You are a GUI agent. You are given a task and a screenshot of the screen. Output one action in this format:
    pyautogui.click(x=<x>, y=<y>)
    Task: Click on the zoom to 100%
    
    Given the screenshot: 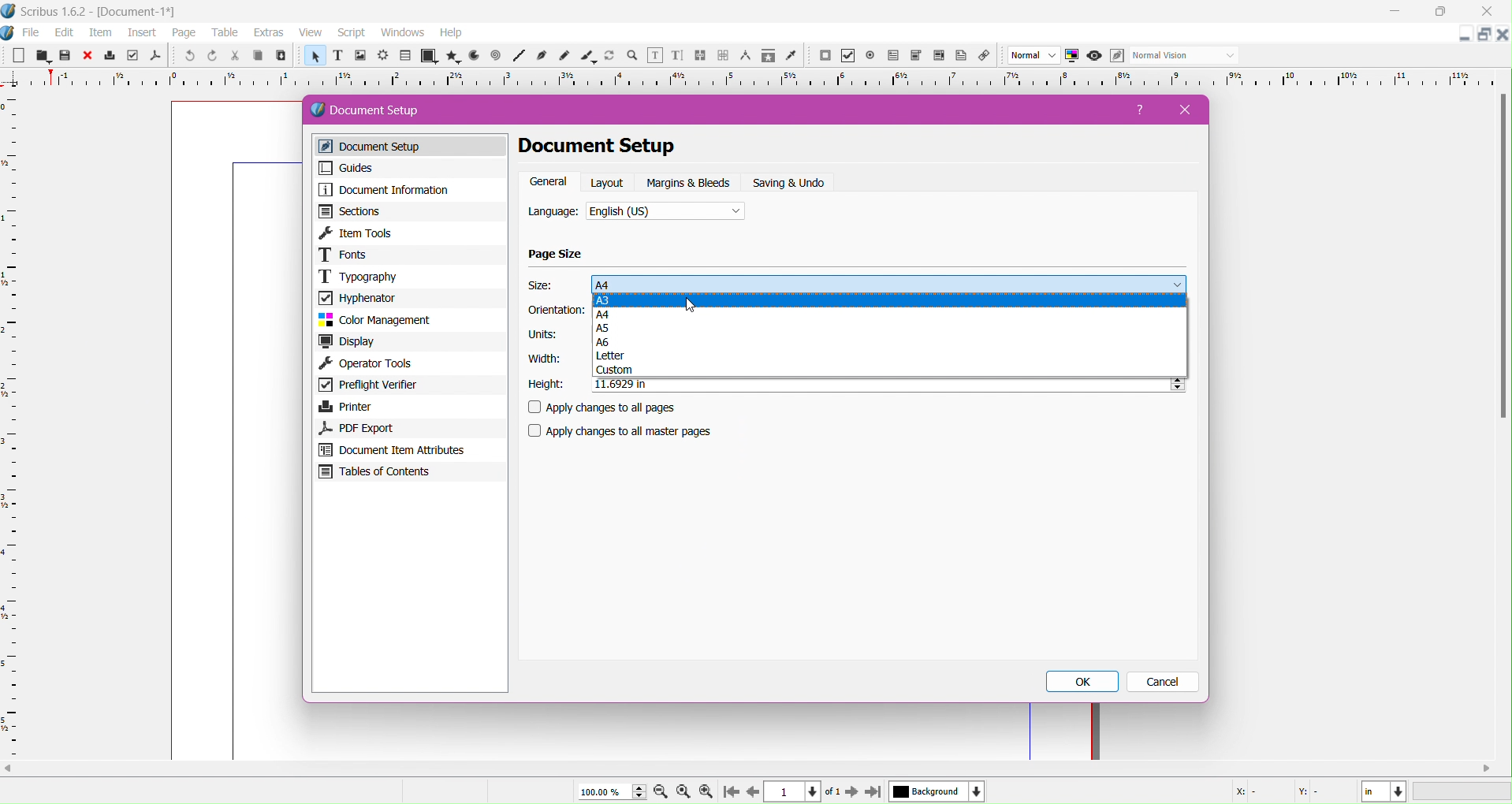 What is the action you would take?
    pyautogui.click(x=685, y=792)
    